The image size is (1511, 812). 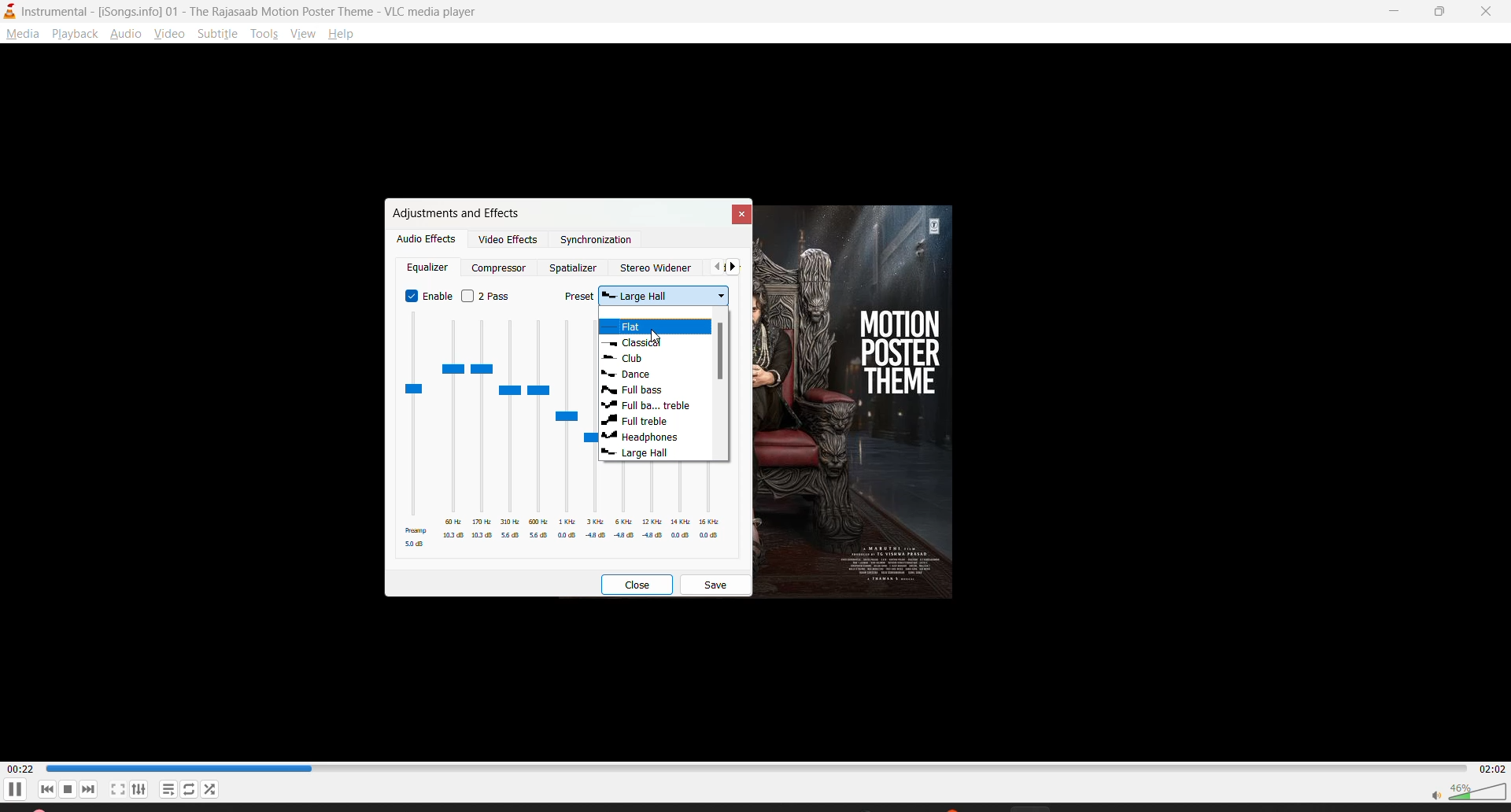 I want to click on settings, so click(x=144, y=788).